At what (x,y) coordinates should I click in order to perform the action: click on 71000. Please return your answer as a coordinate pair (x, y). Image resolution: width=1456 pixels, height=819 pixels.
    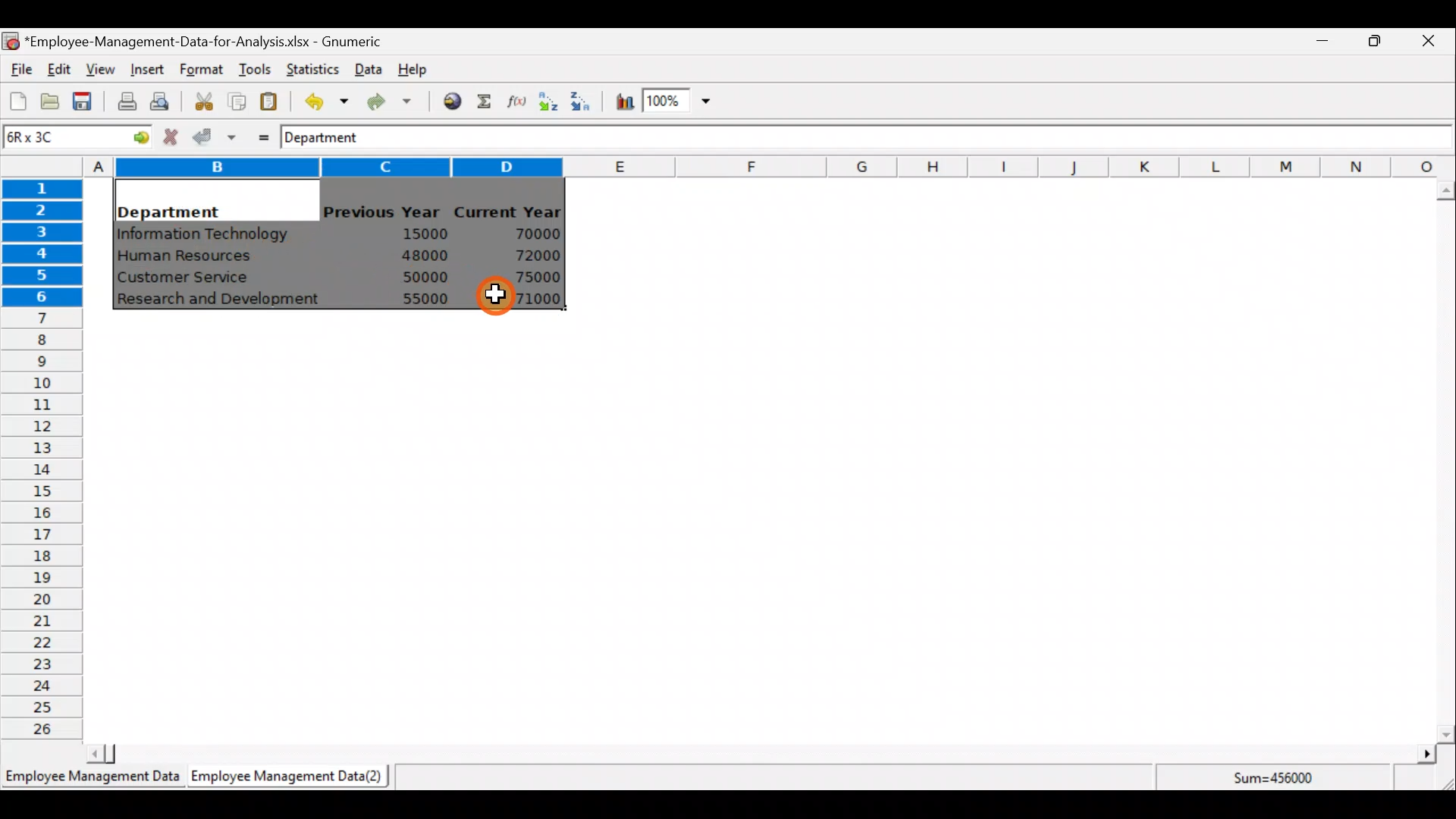
    Looking at the image, I should click on (533, 299).